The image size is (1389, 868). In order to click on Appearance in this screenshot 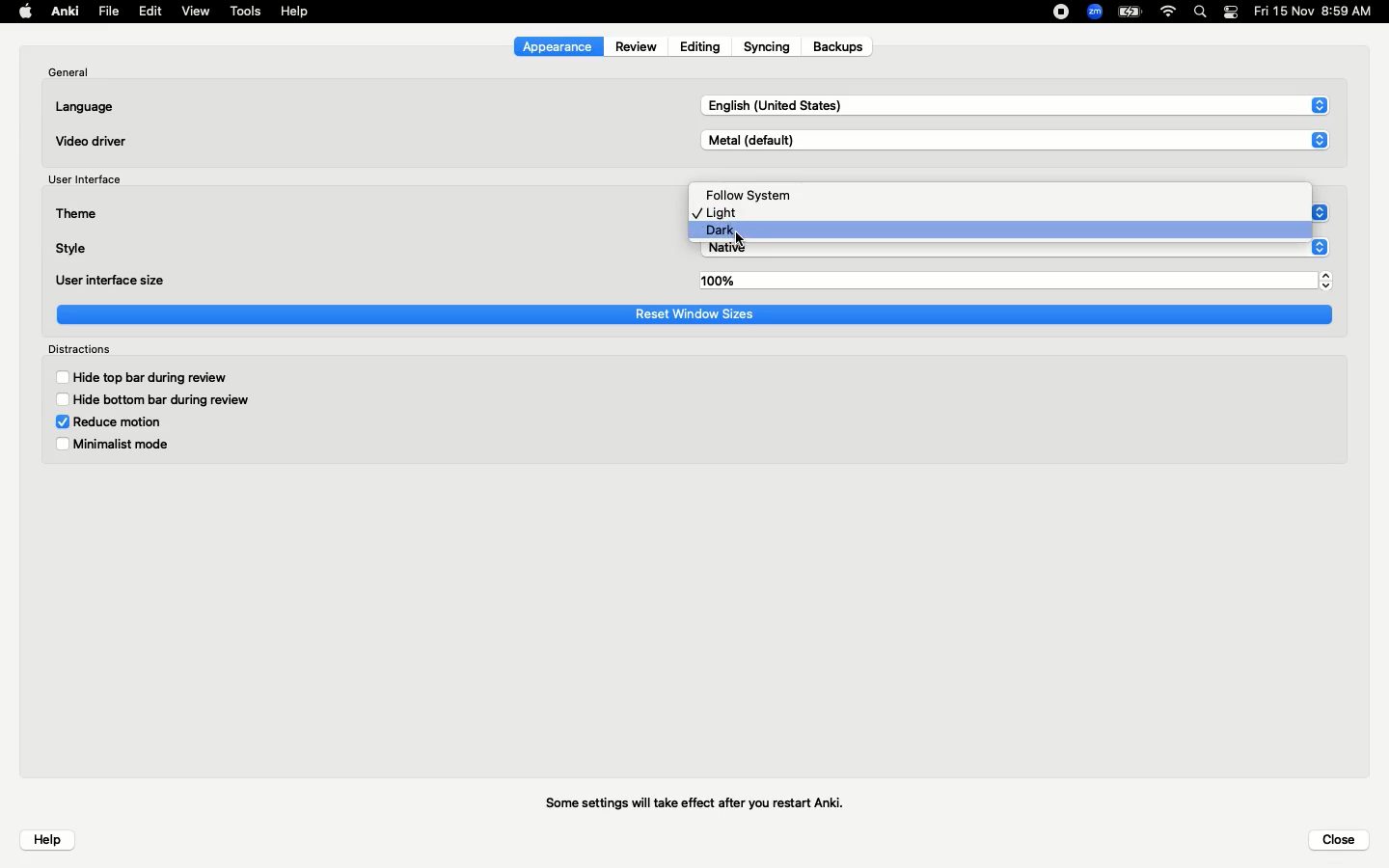, I will do `click(559, 47)`.